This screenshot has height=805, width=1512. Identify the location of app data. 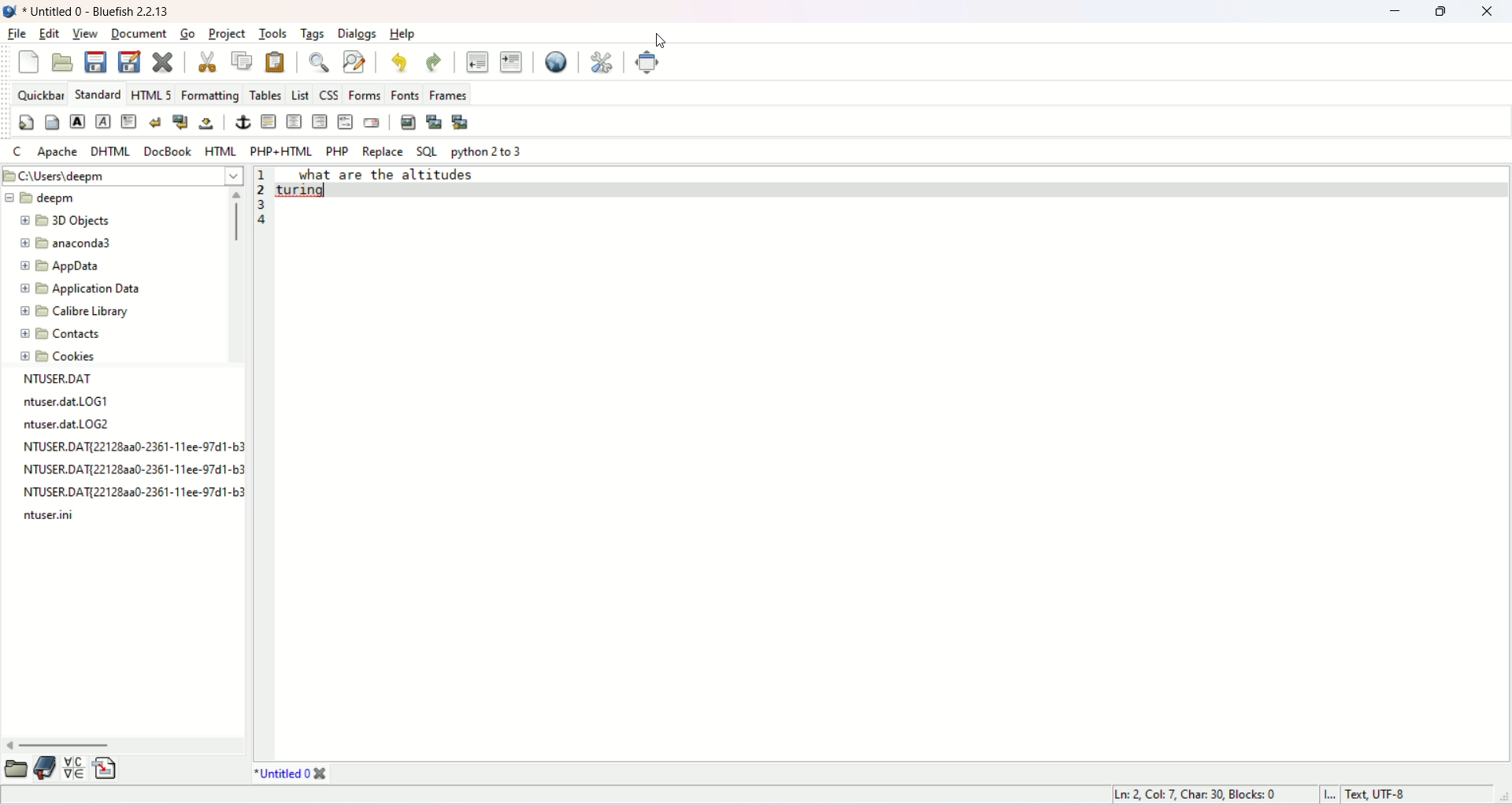
(62, 268).